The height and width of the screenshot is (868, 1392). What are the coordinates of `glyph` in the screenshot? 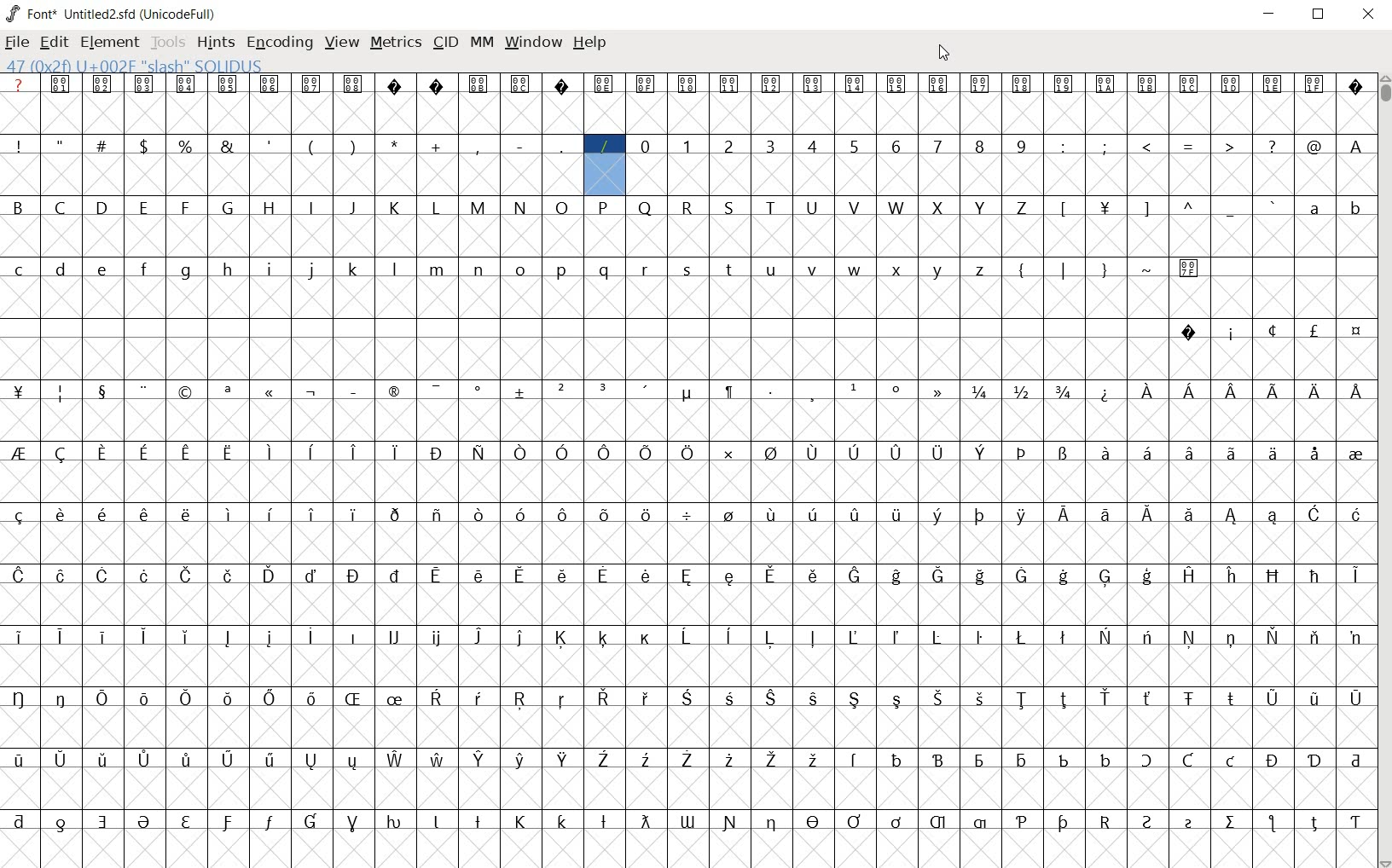 It's located at (478, 84).